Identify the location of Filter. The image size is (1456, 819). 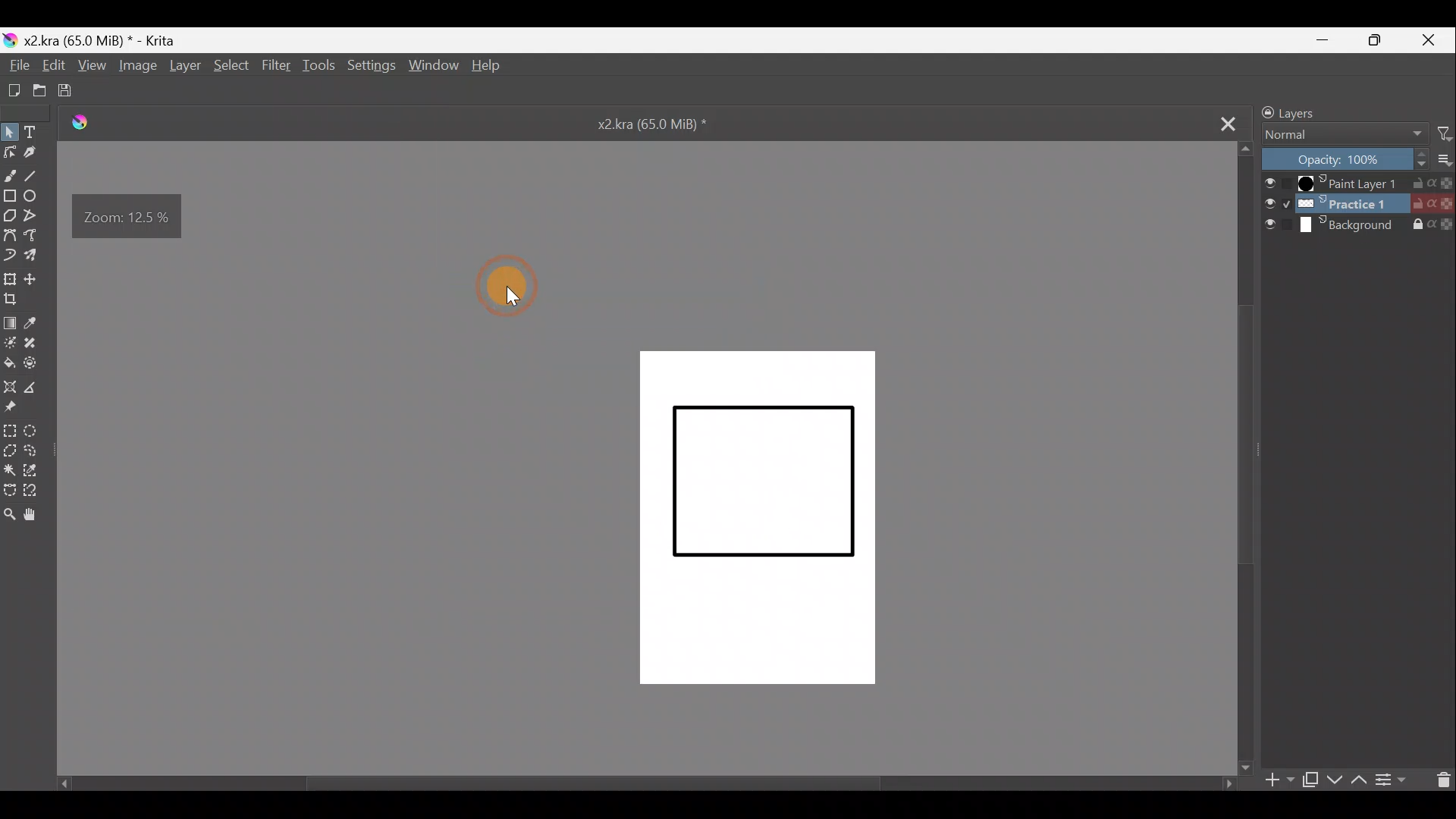
(277, 64).